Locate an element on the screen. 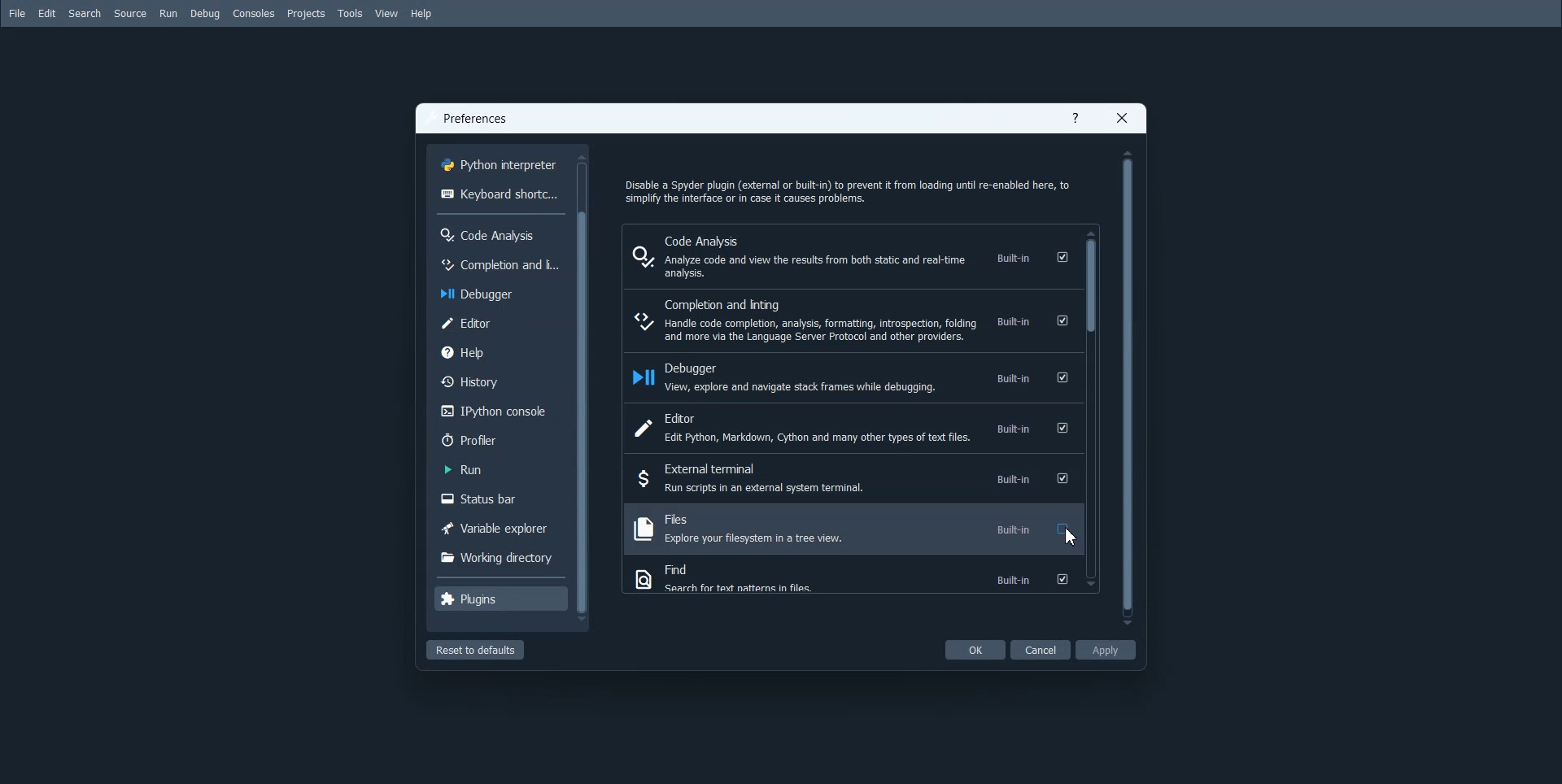 The width and height of the screenshot is (1562, 784). Files is located at coordinates (852, 528).